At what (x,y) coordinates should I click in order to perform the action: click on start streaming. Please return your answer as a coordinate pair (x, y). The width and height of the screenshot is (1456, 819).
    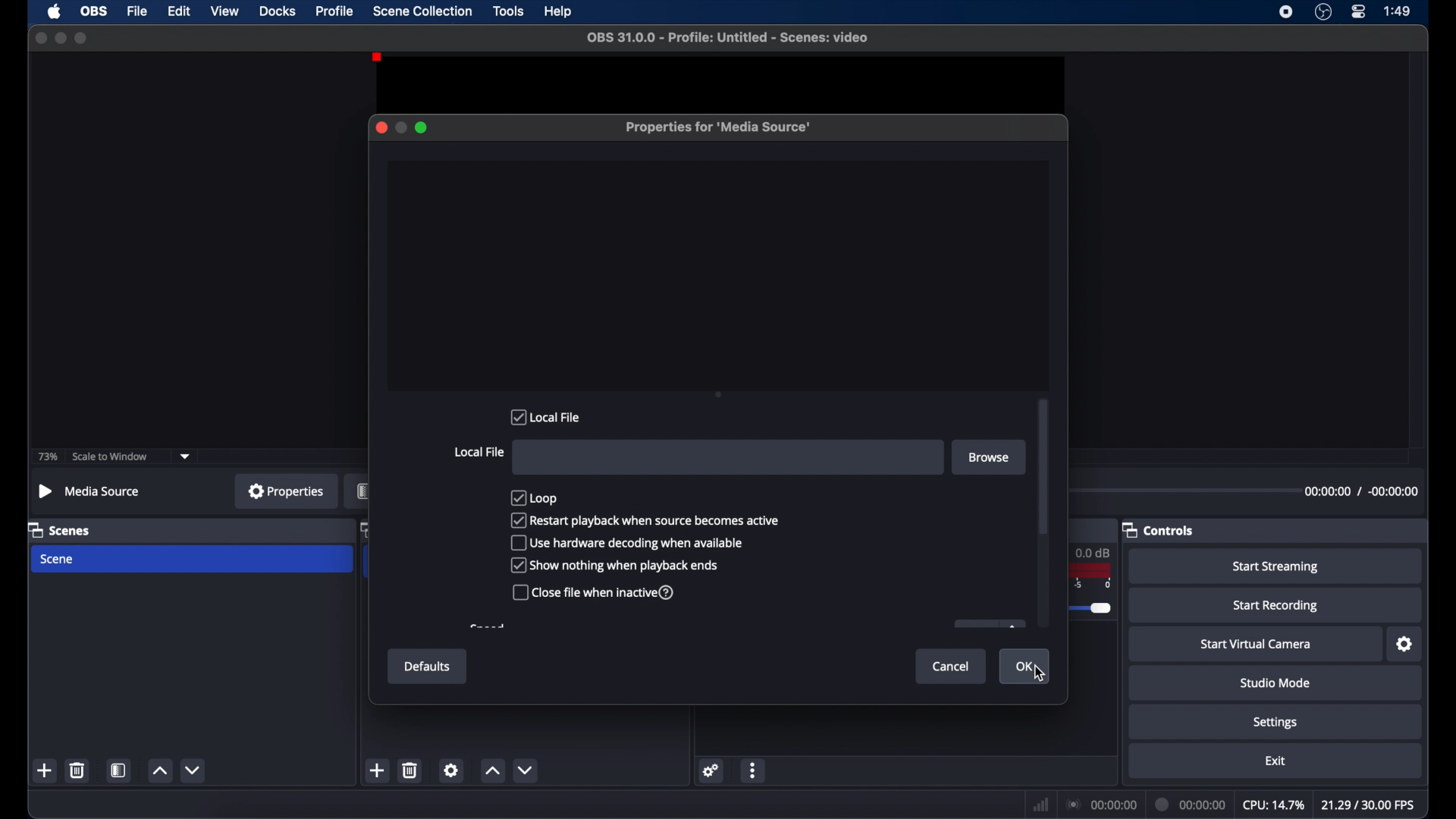
    Looking at the image, I should click on (1277, 567).